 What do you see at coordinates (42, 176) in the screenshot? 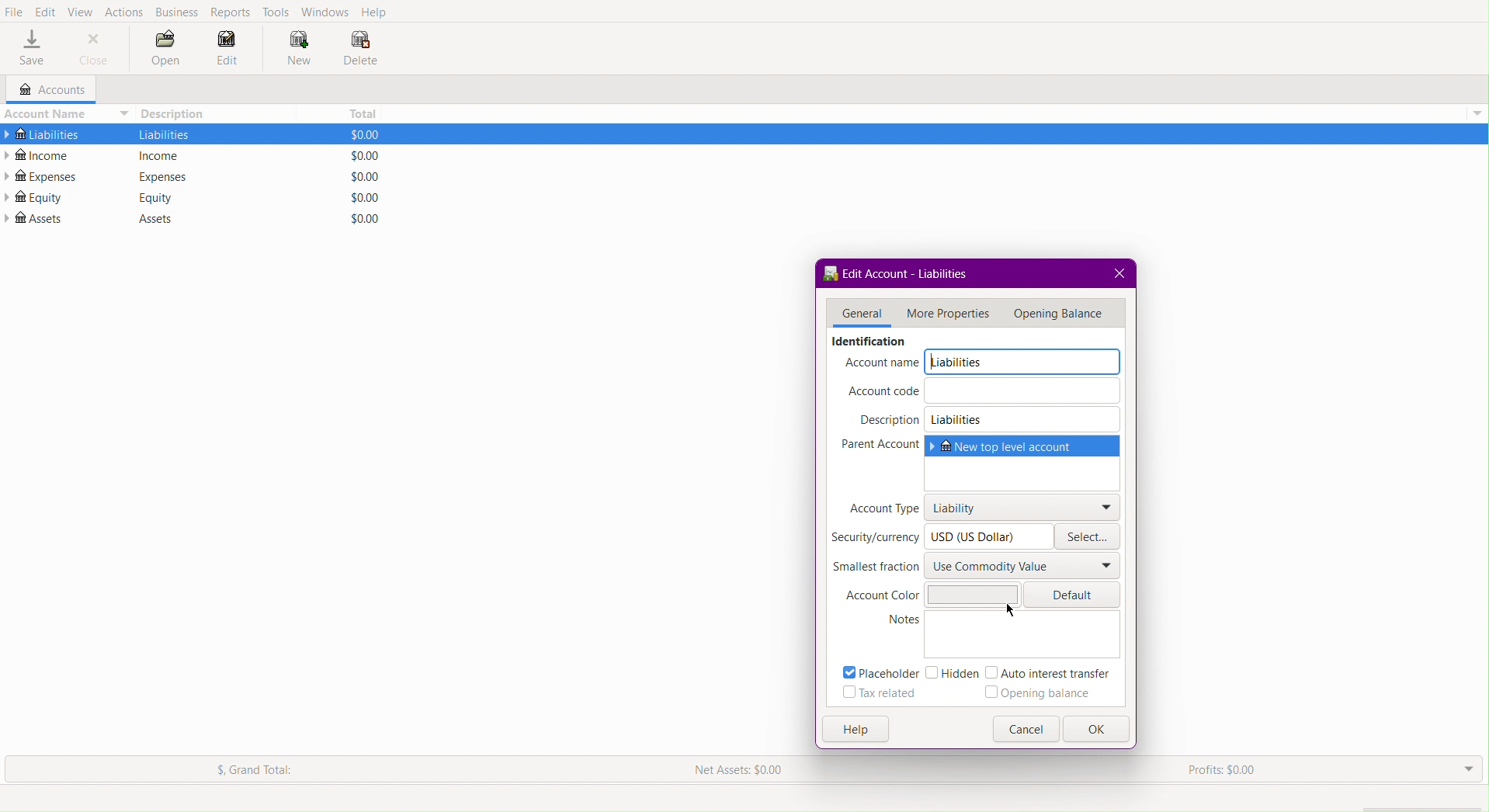
I see `Expenses` at bounding box center [42, 176].